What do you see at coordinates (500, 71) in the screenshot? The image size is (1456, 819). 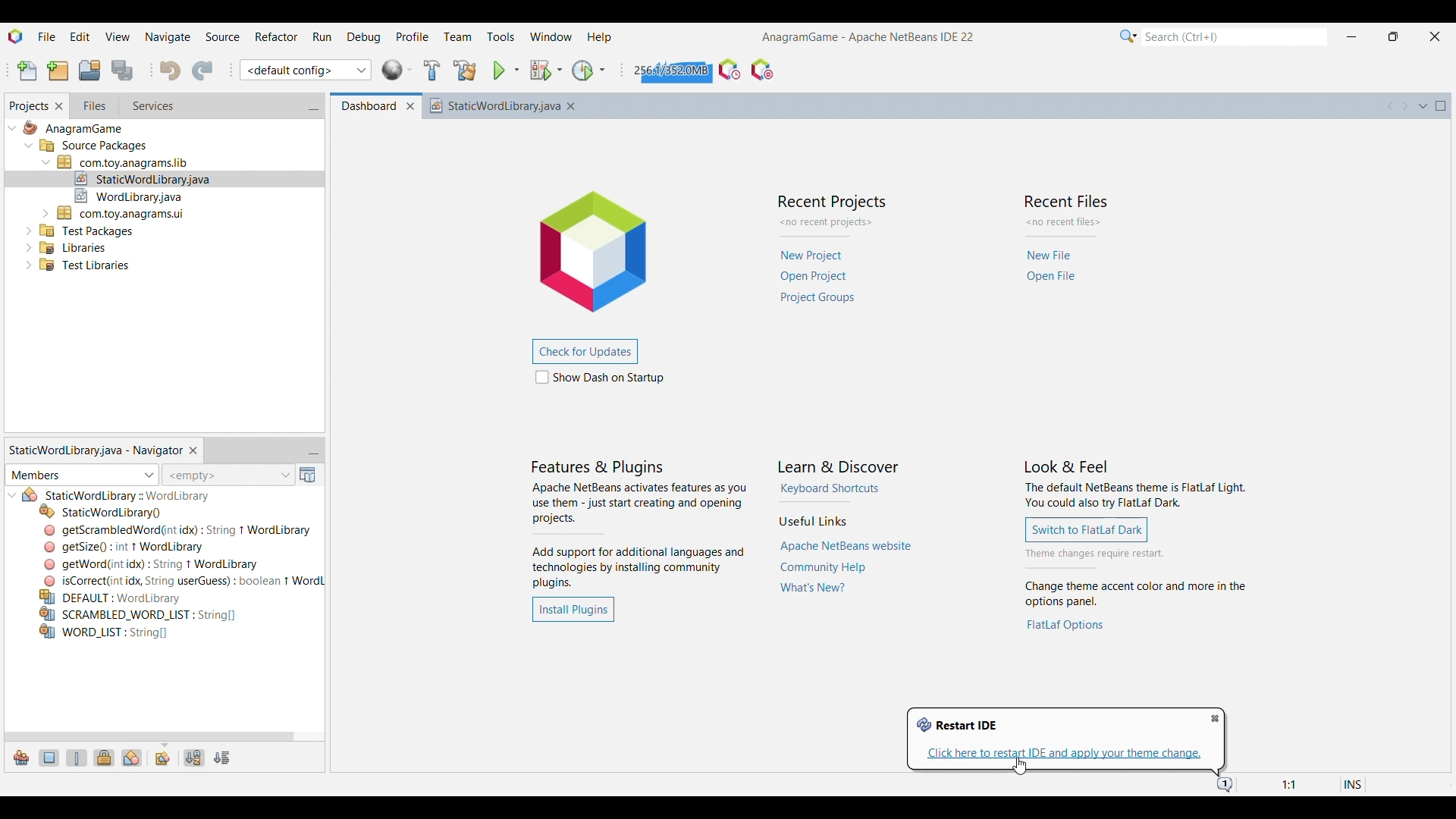 I see `Run project selection` at bounding box center [500, 71].